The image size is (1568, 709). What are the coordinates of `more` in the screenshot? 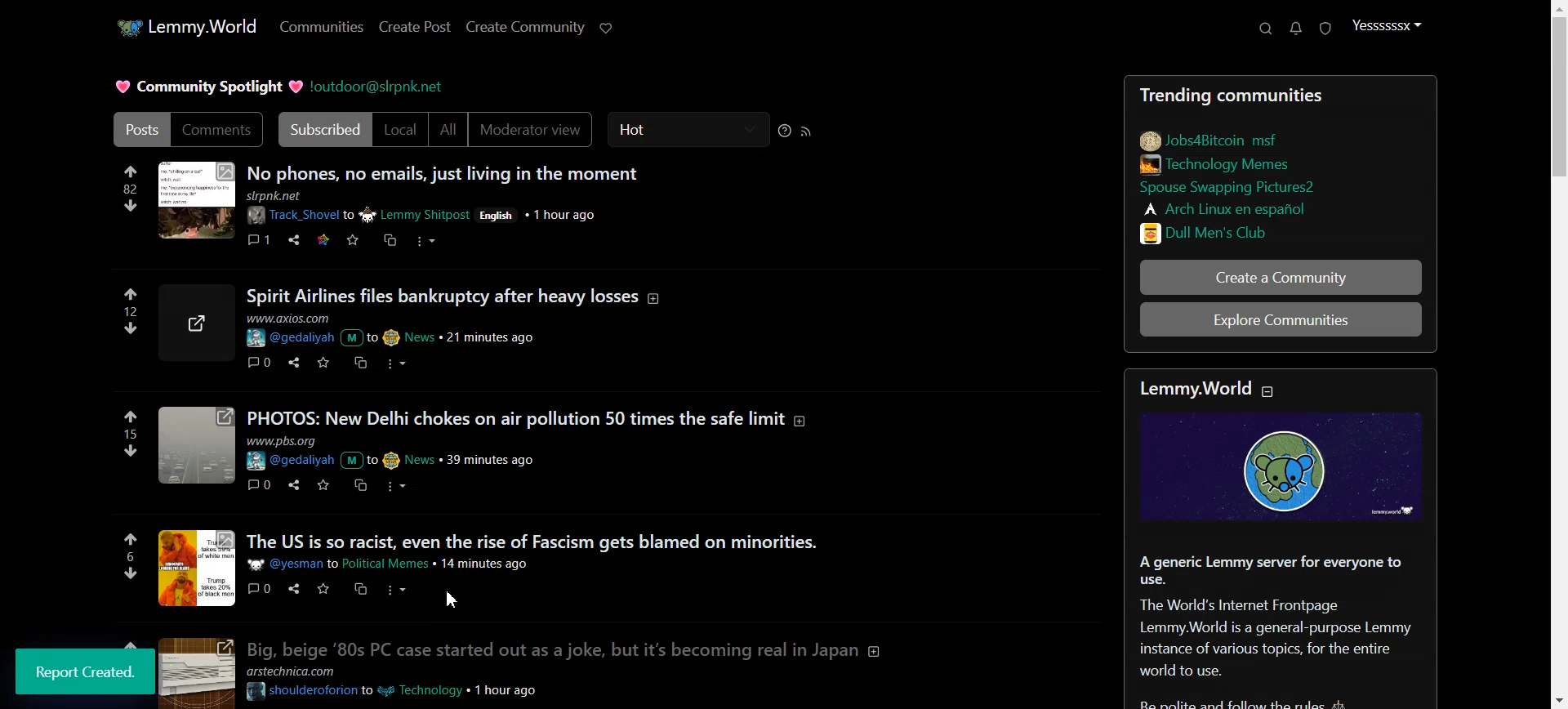 It's located at (401, 486).